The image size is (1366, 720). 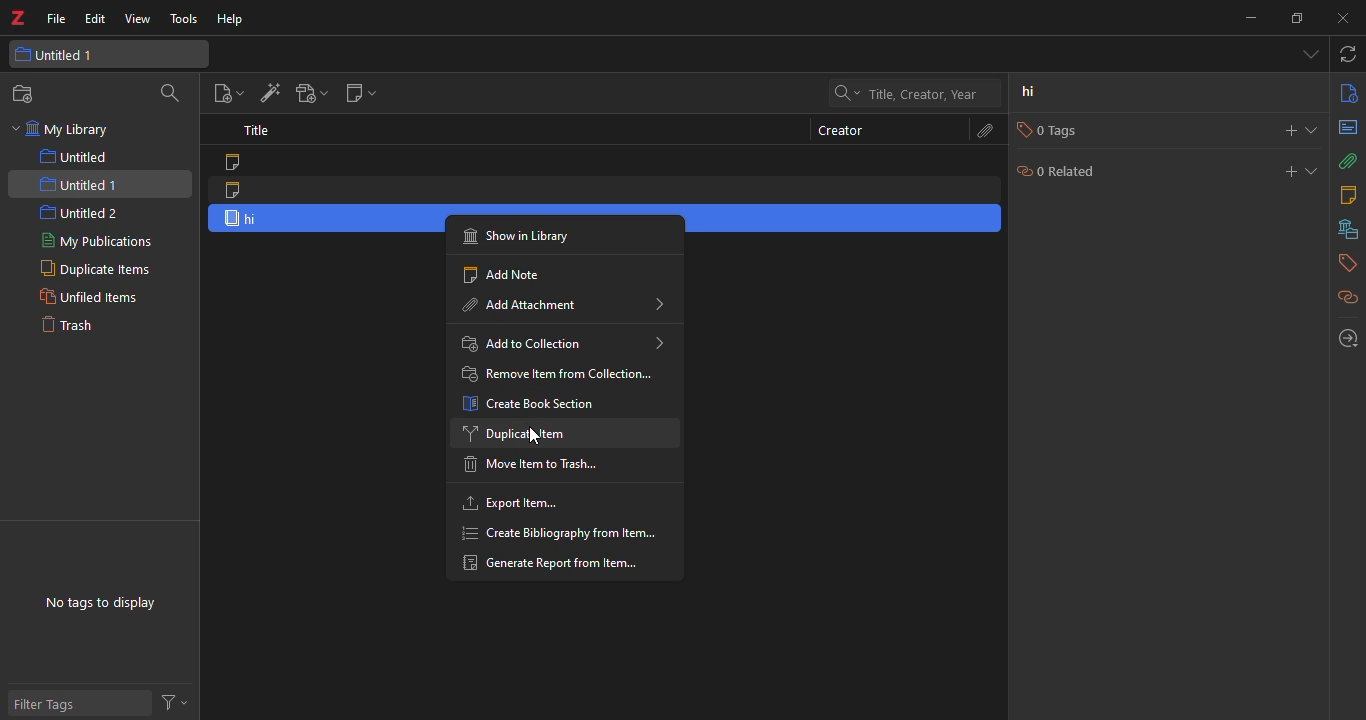 I want to click on generate report from item, so click(x=560, y=563).